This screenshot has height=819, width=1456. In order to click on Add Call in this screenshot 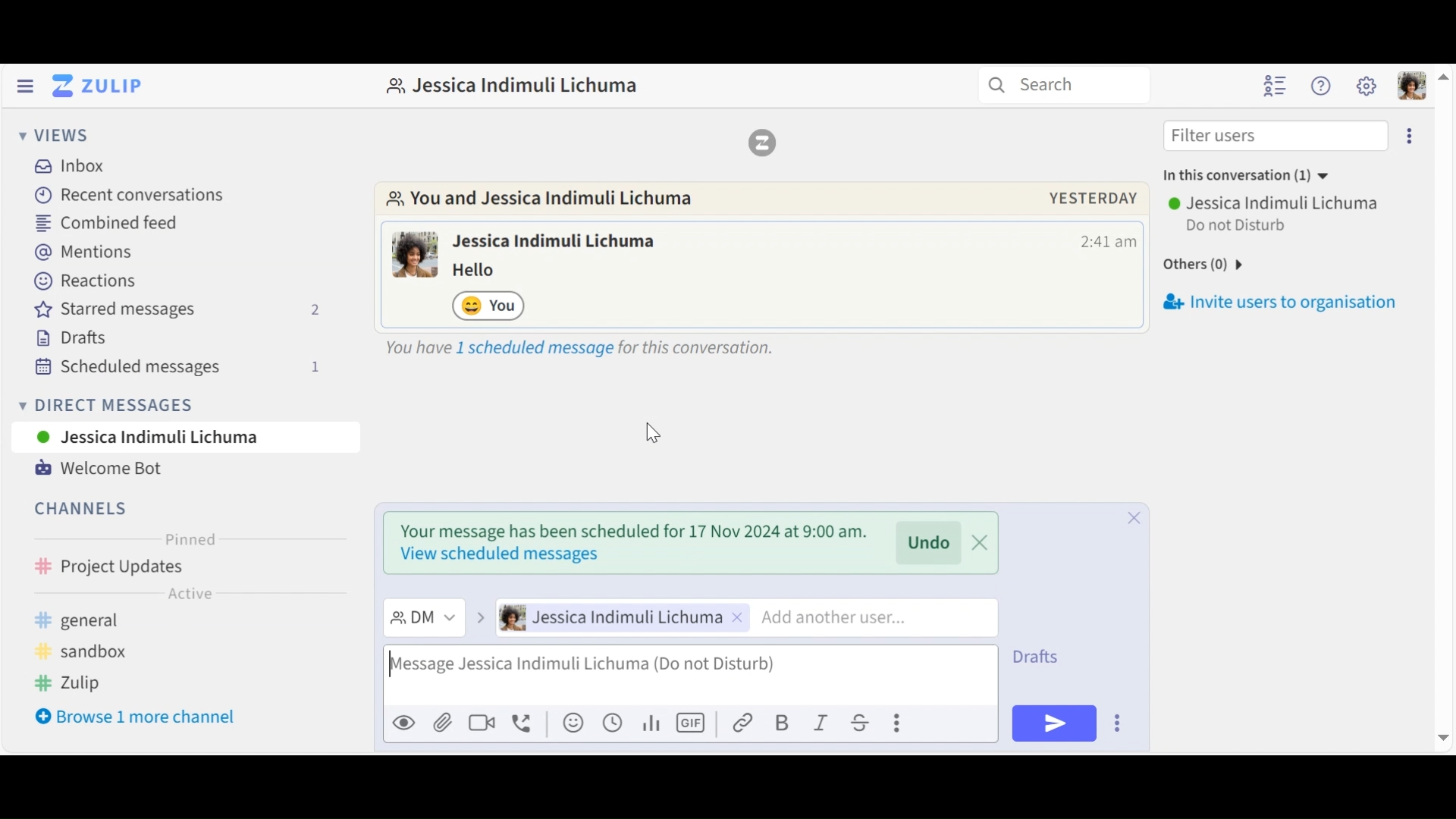, I will do `click(526, 721)`.